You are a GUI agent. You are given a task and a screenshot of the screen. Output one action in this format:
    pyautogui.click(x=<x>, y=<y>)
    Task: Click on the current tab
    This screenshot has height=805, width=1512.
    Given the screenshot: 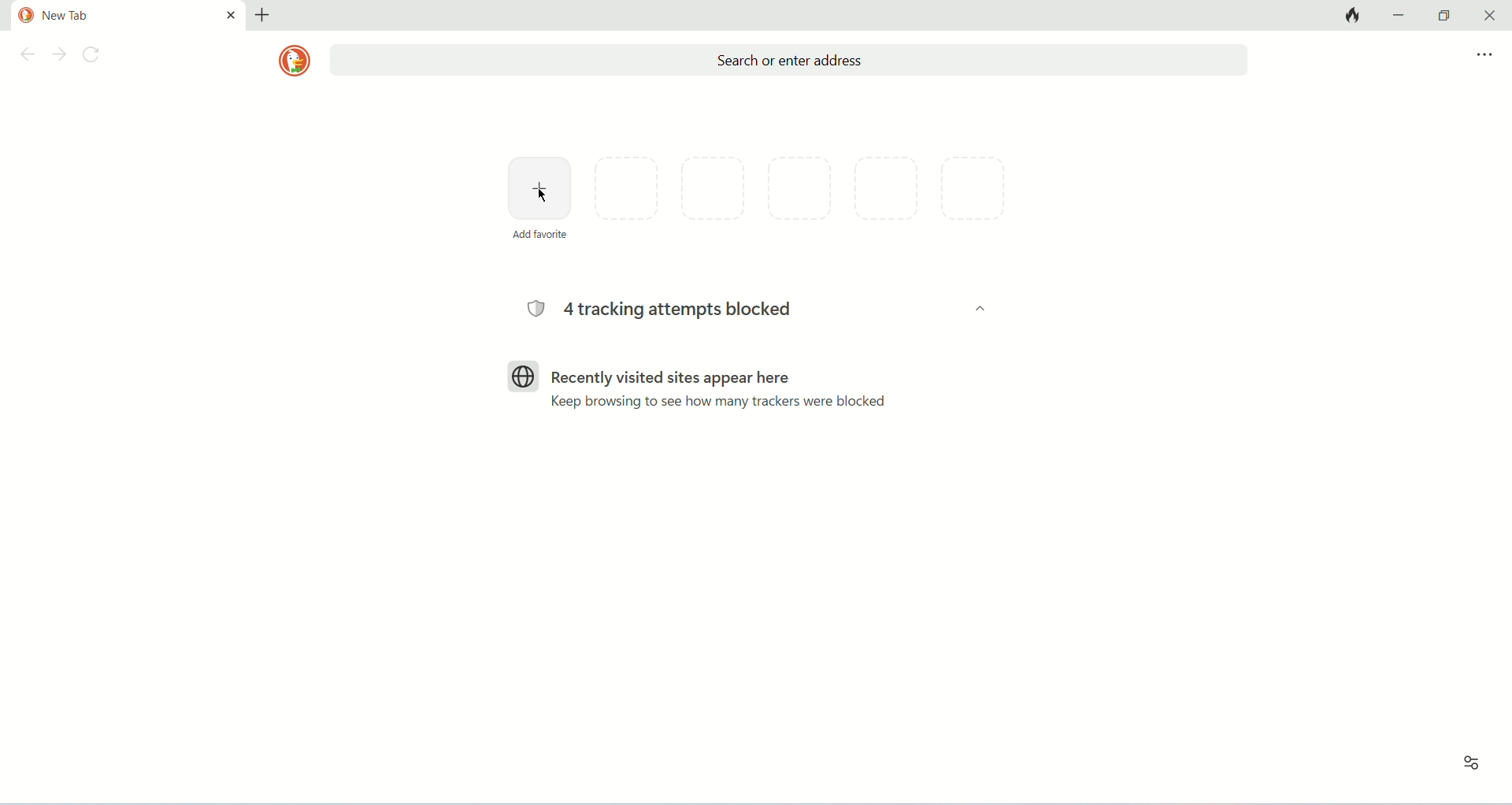 What is the action you would take?
    pyautogui.click(x=112, y=16)
    